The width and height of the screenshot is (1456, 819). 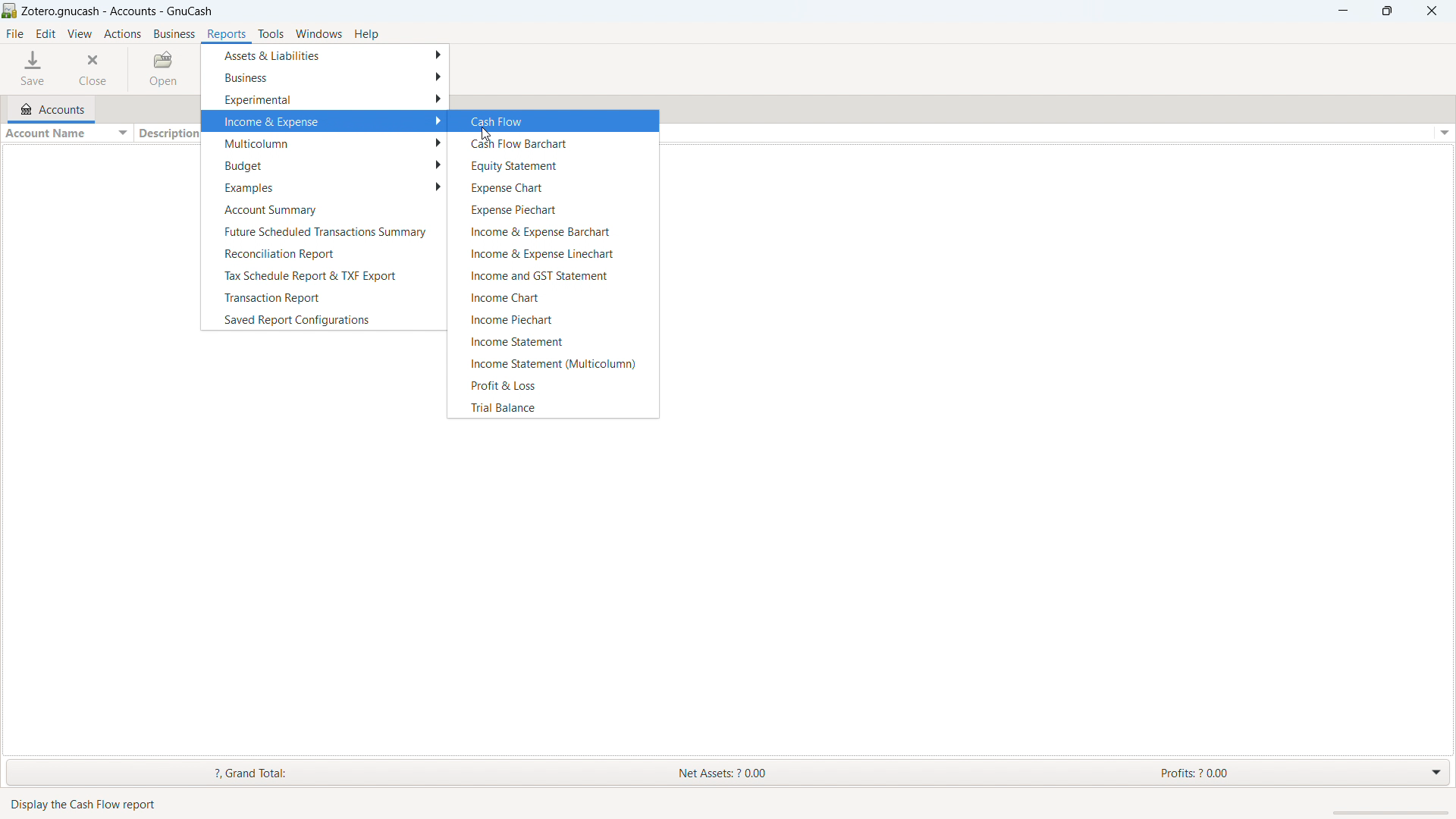 What do you see at coordinates (66, 133) in the screenshot?
I see `sort by account name` at bounding box center [66, 133].